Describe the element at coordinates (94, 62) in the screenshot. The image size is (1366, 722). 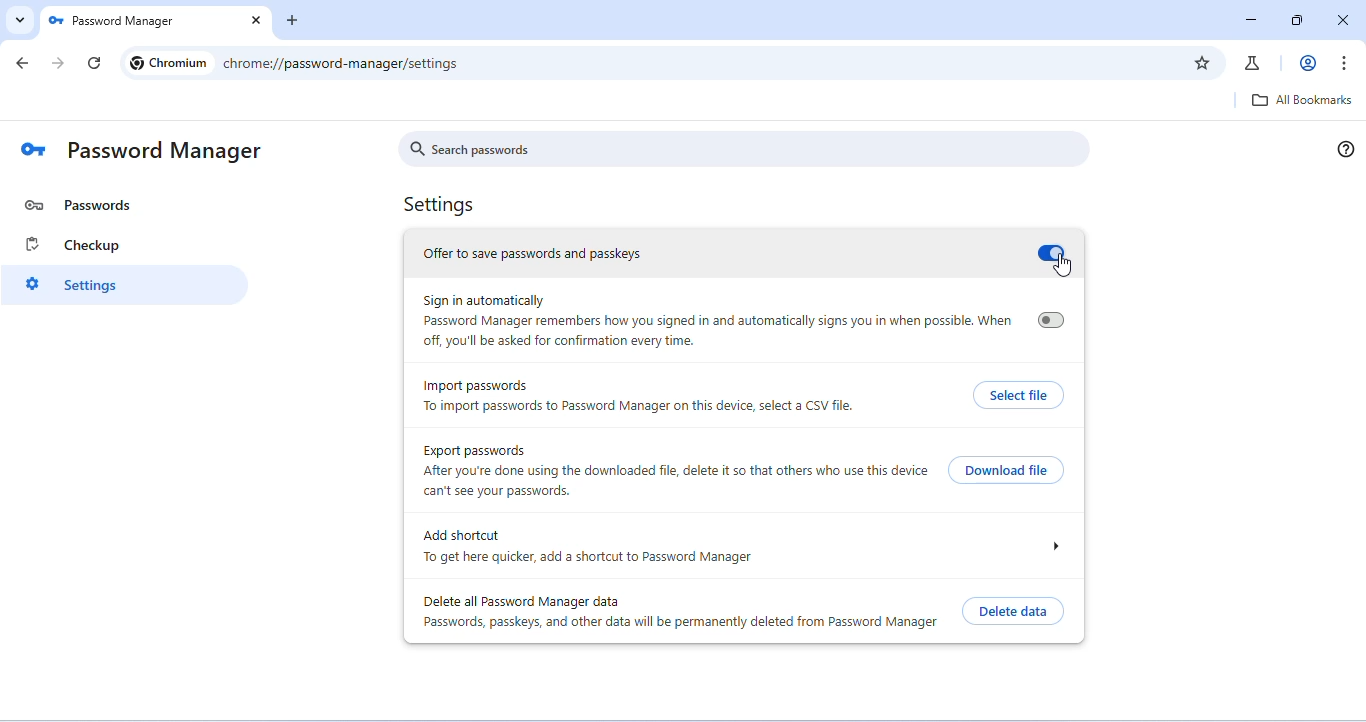
I see `refresh` at that location.